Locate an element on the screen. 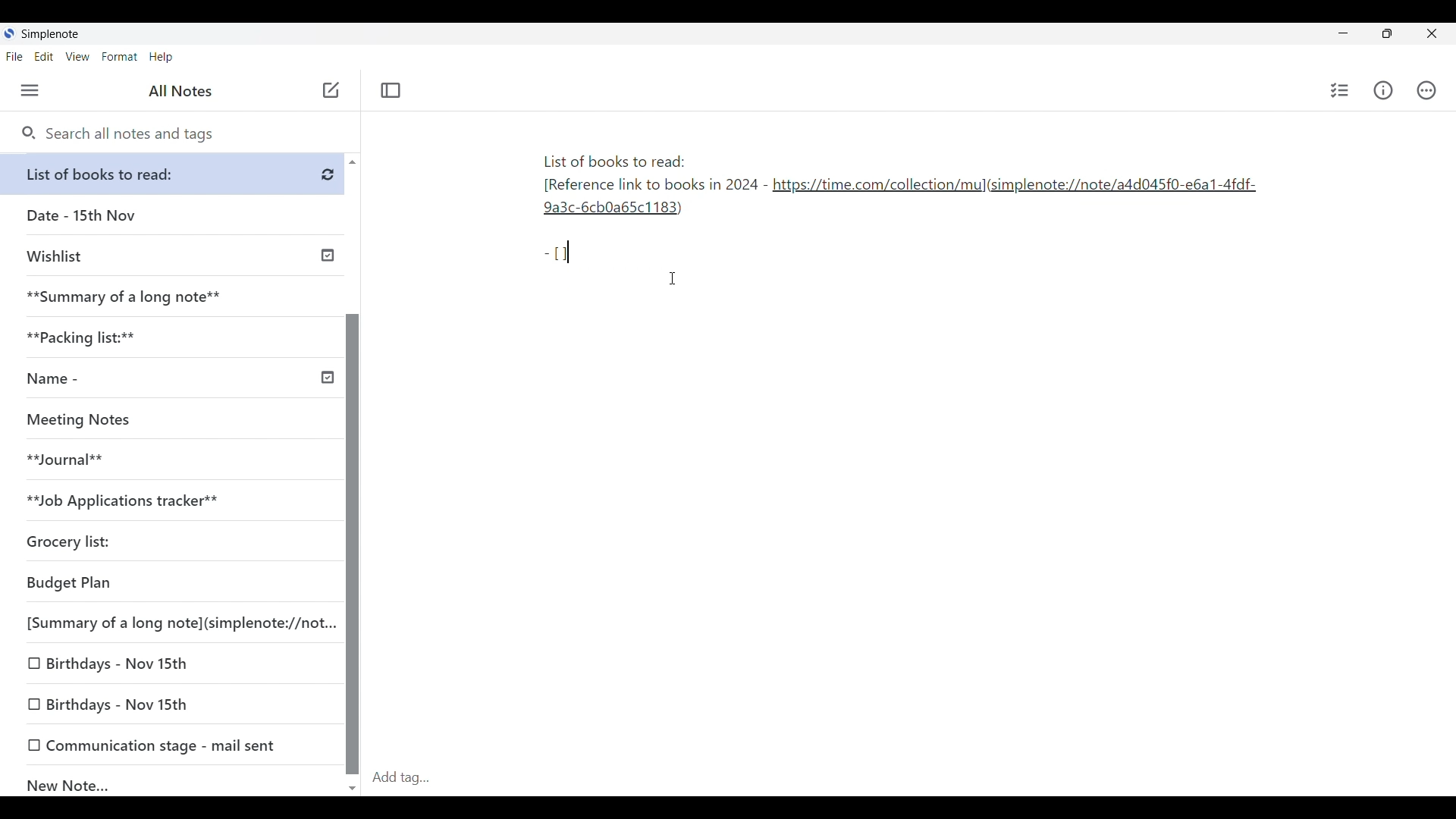 The image size is (1456, 819). Communication stage - mail sent is located at coordinates (173, 745).